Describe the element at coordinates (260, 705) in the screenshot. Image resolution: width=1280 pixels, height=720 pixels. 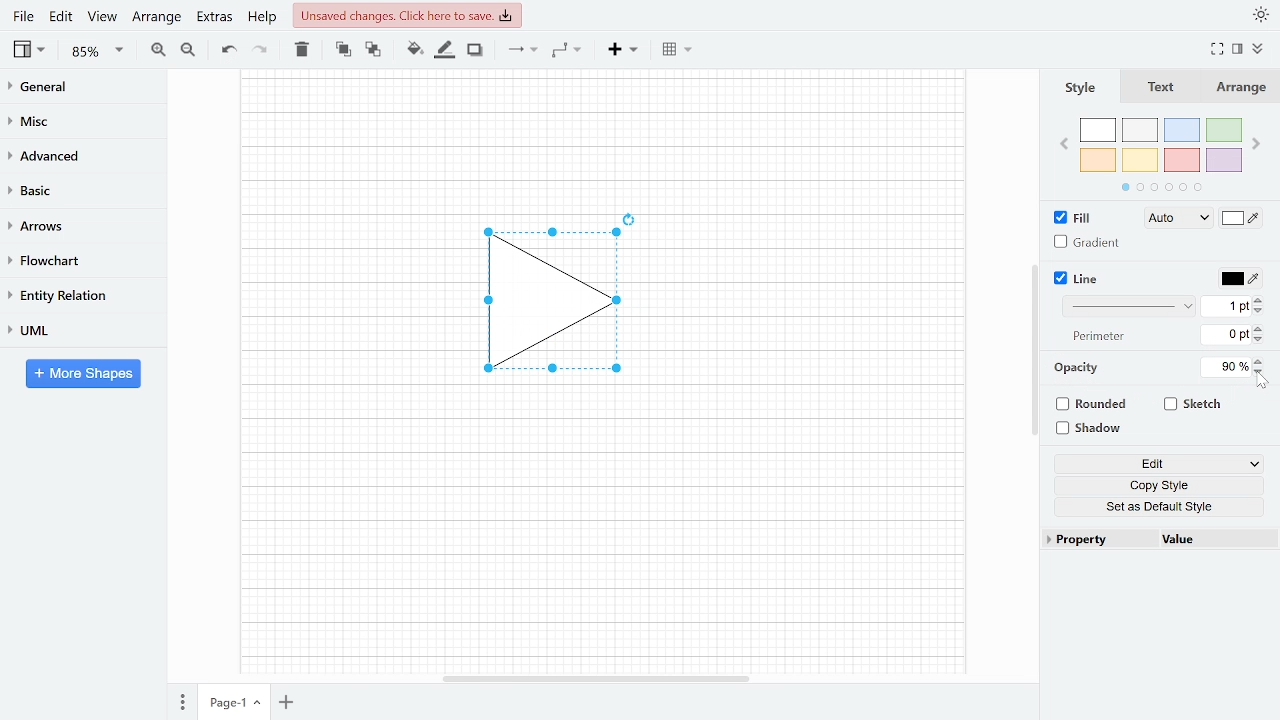
I see `Page options` at that location.